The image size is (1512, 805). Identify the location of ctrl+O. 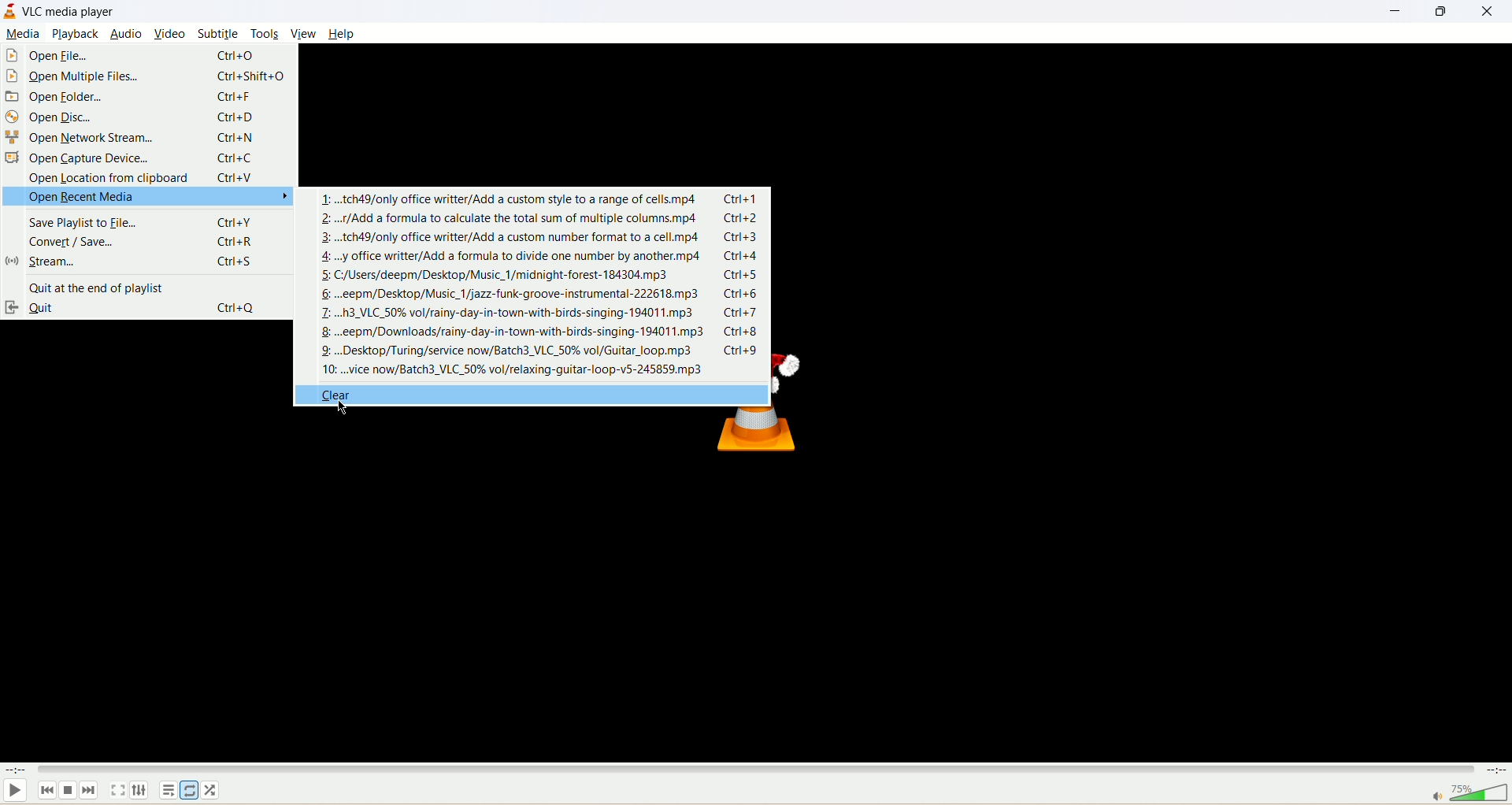
(235, 55).